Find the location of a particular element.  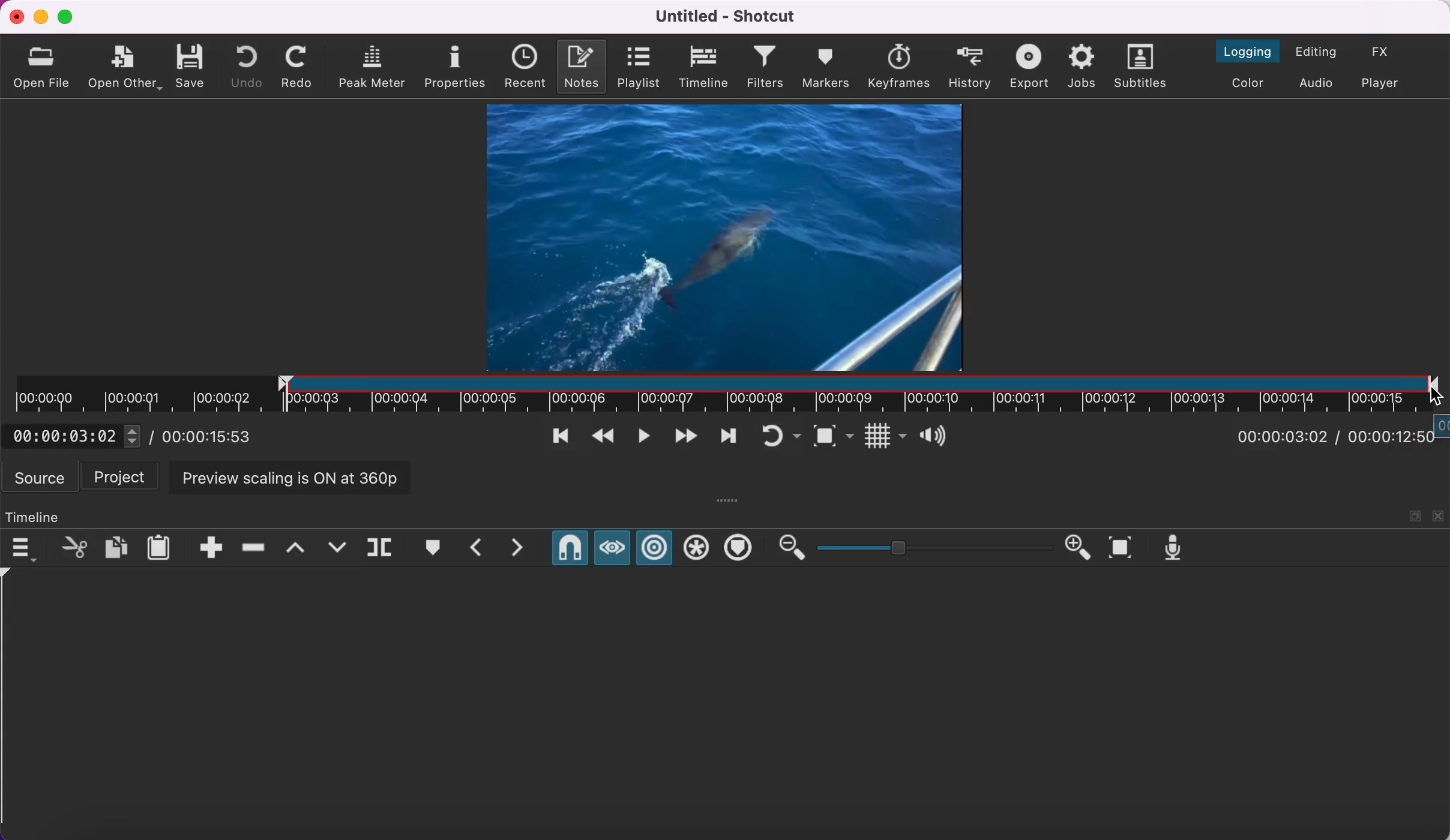

maximize is located at coordinates (69, 17).